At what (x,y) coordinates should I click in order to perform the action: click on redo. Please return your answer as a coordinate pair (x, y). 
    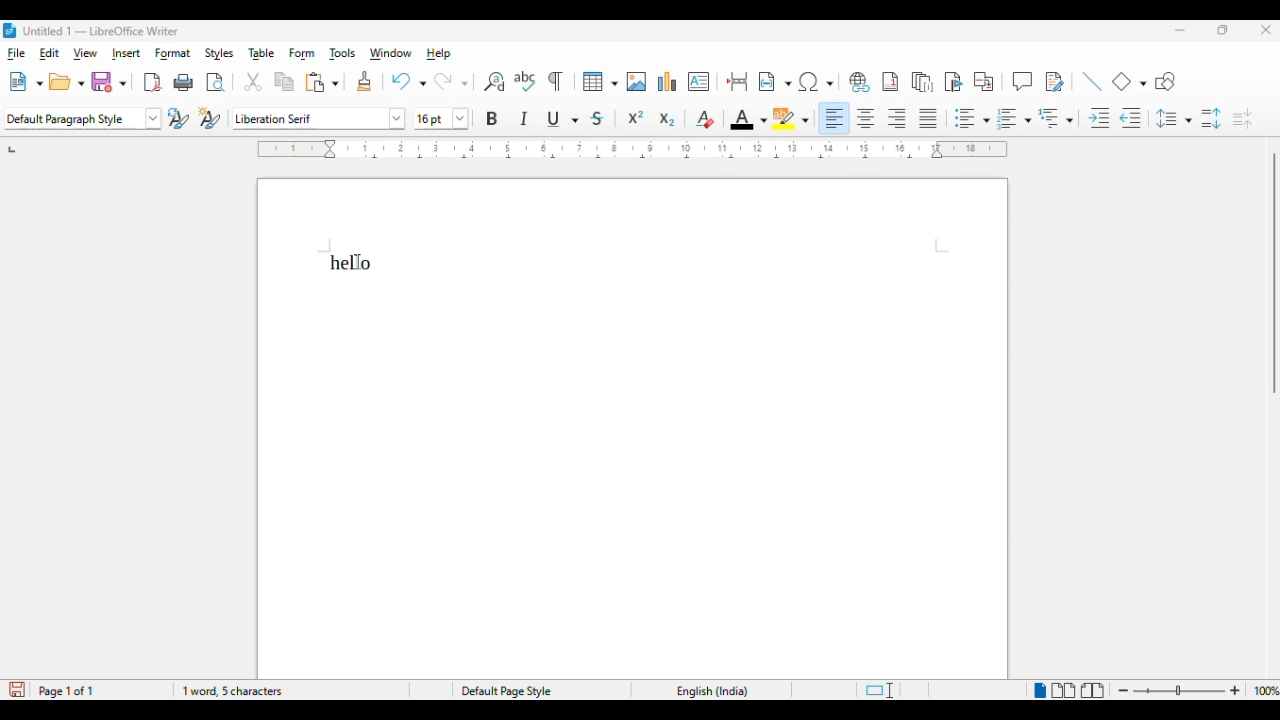
    Looking at the image, I should click on (450, 81).